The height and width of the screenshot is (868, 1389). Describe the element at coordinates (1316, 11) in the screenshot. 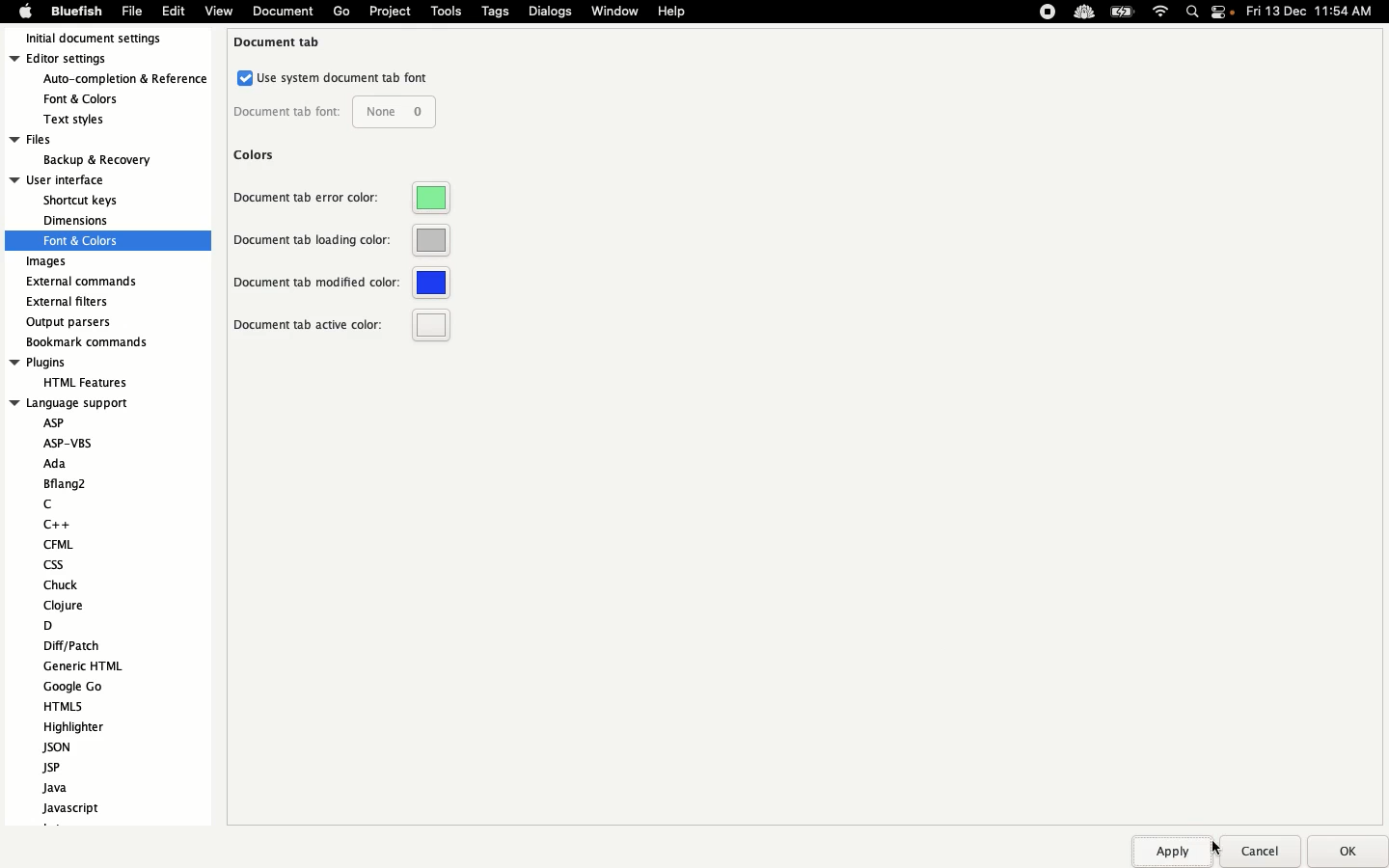

I see `Date time` at that location.